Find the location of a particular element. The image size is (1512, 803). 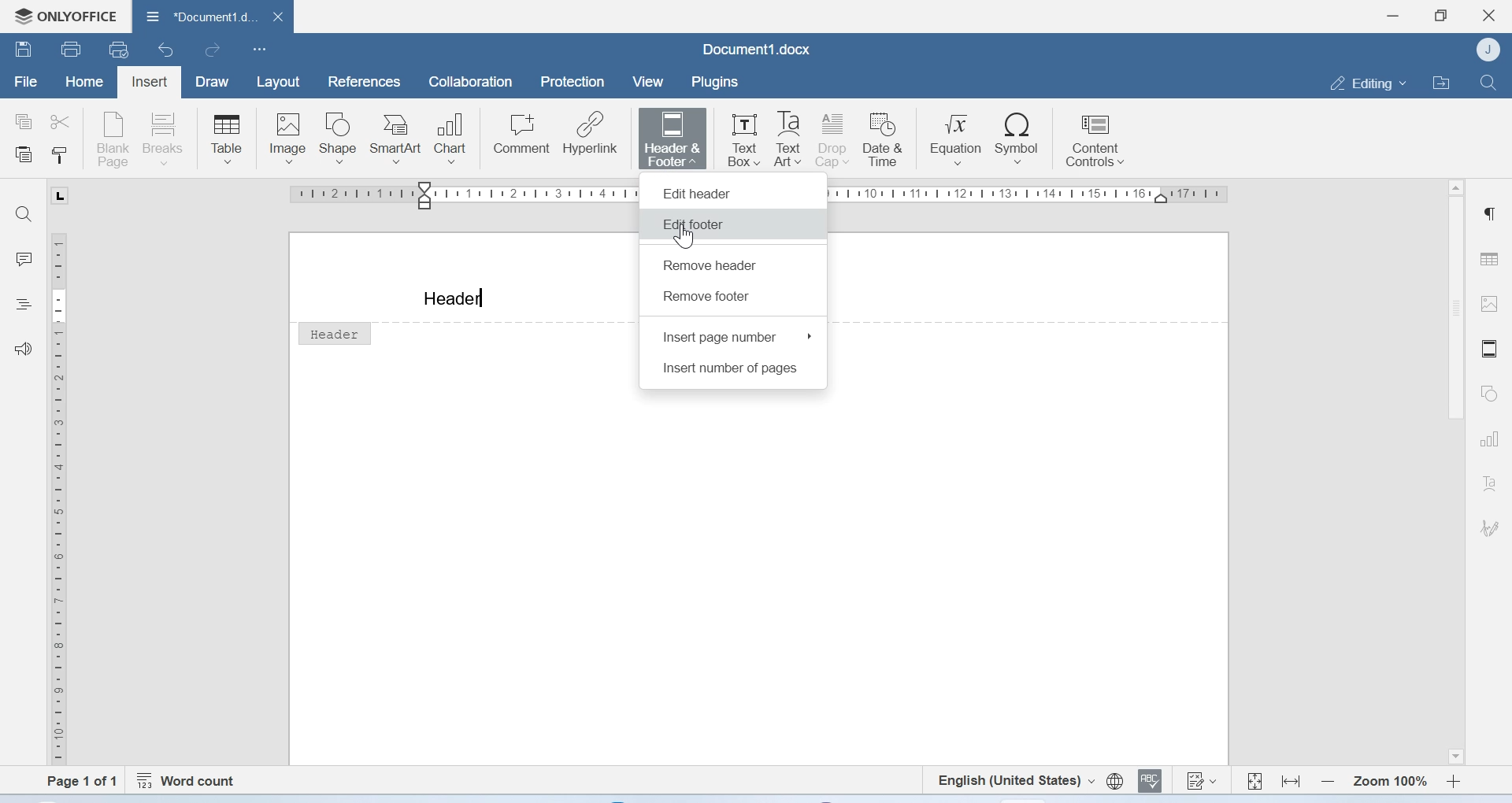

Text Box is located at coordinates (738, 135).